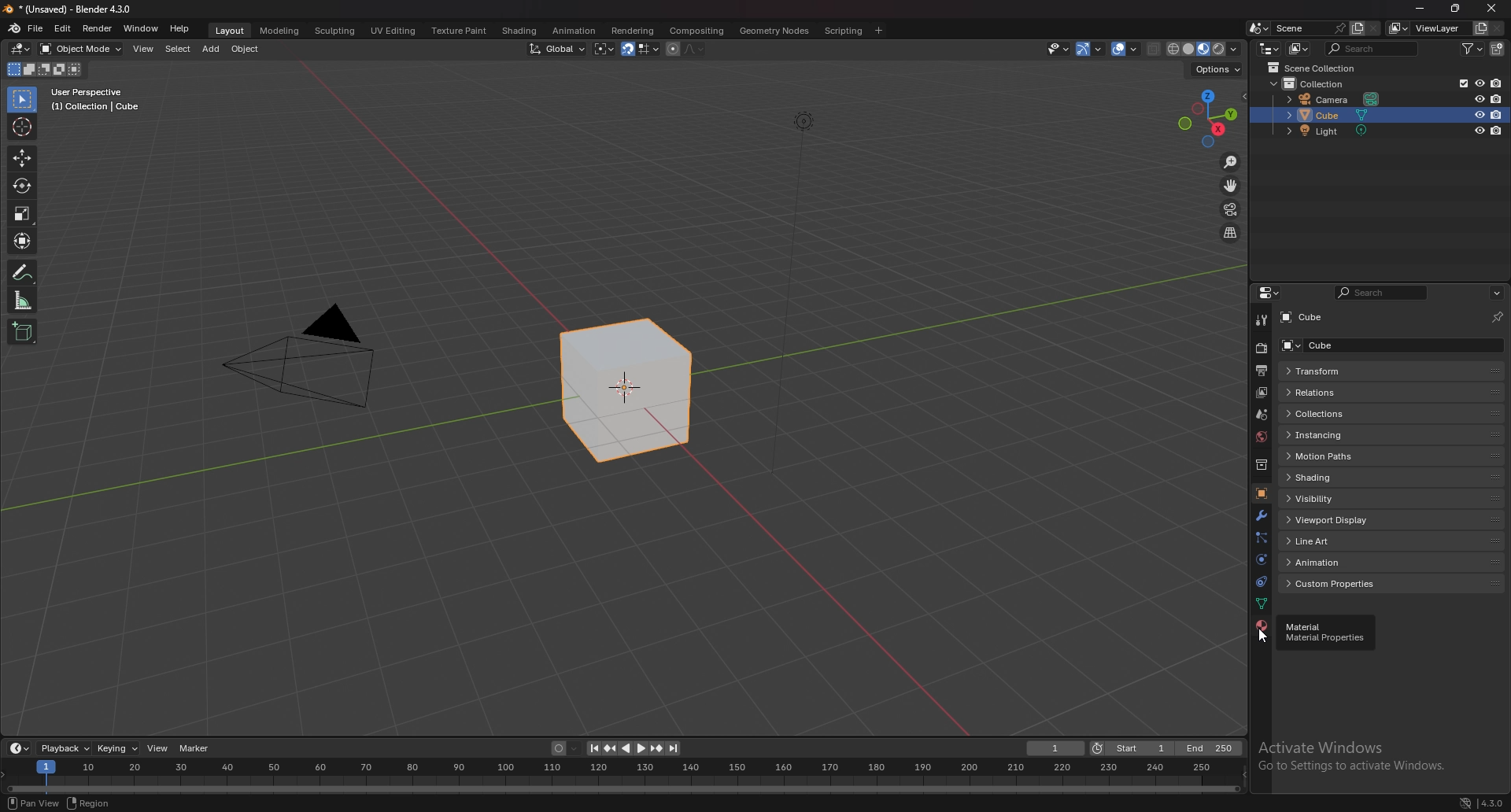  I want to click on hide in viewport, so click(1479, 98).